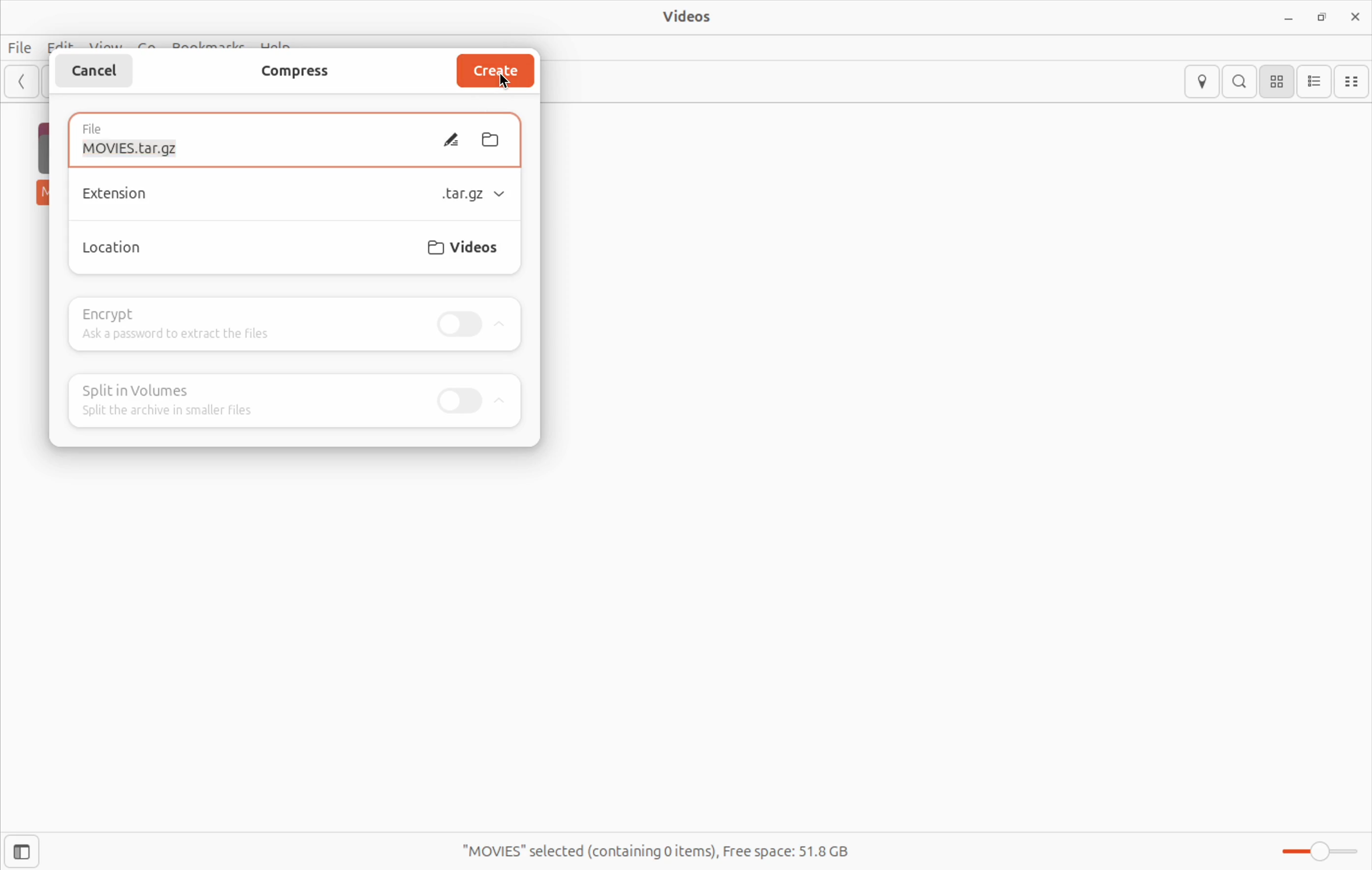 This screenshot has height=870, width=1372. What do you see at coordinates (154, 389) in the screenshot?
I see `split volumes` at bounding box center [154, 389].